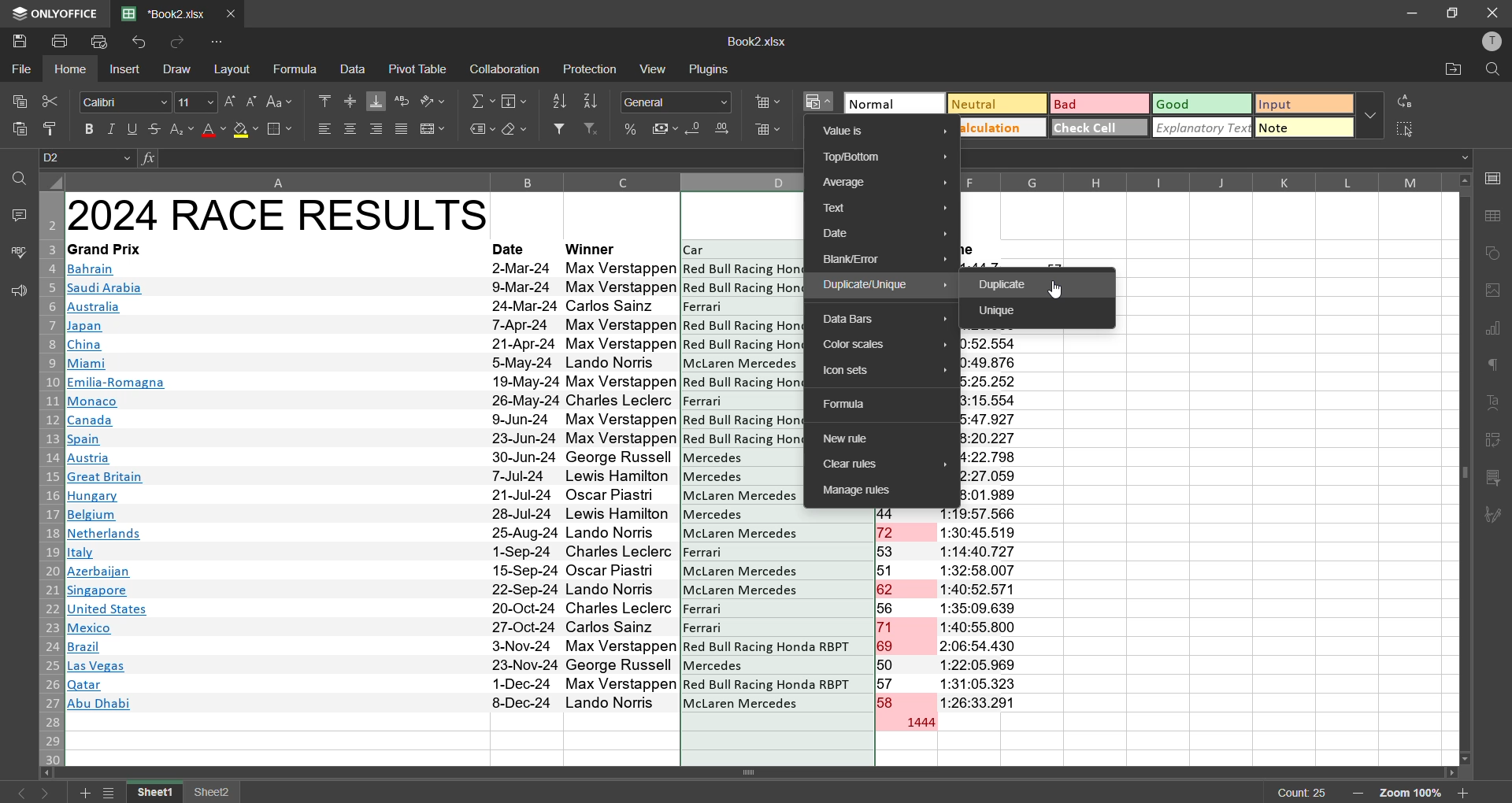 The image size is (1512, 803). Describe the element at coordinates (885, 259) in the screenshot. I see `blank/error` at that location.